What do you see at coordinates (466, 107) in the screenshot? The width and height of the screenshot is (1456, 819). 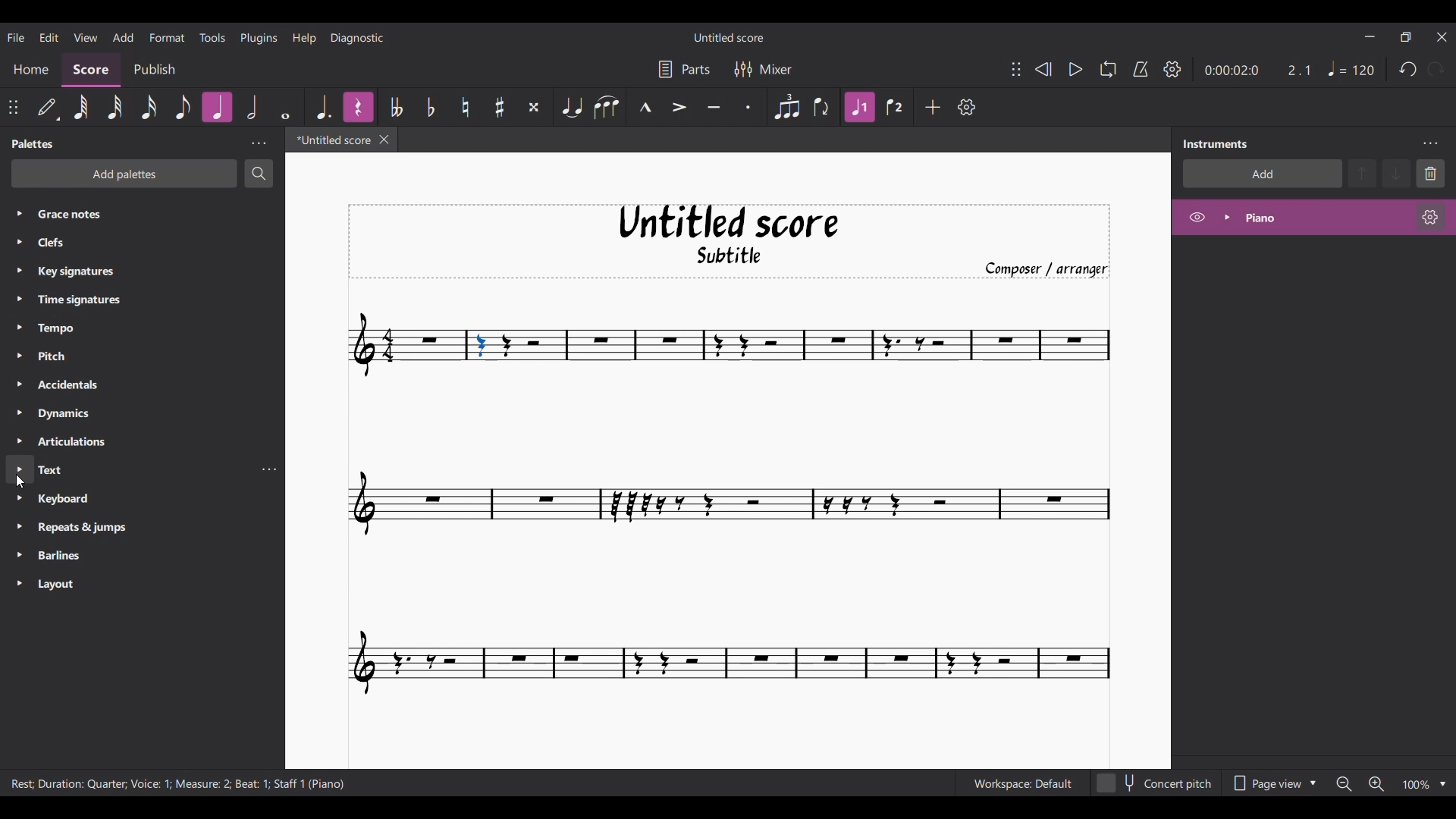 I see `Toggle natural` at bounding box center [466, 107].